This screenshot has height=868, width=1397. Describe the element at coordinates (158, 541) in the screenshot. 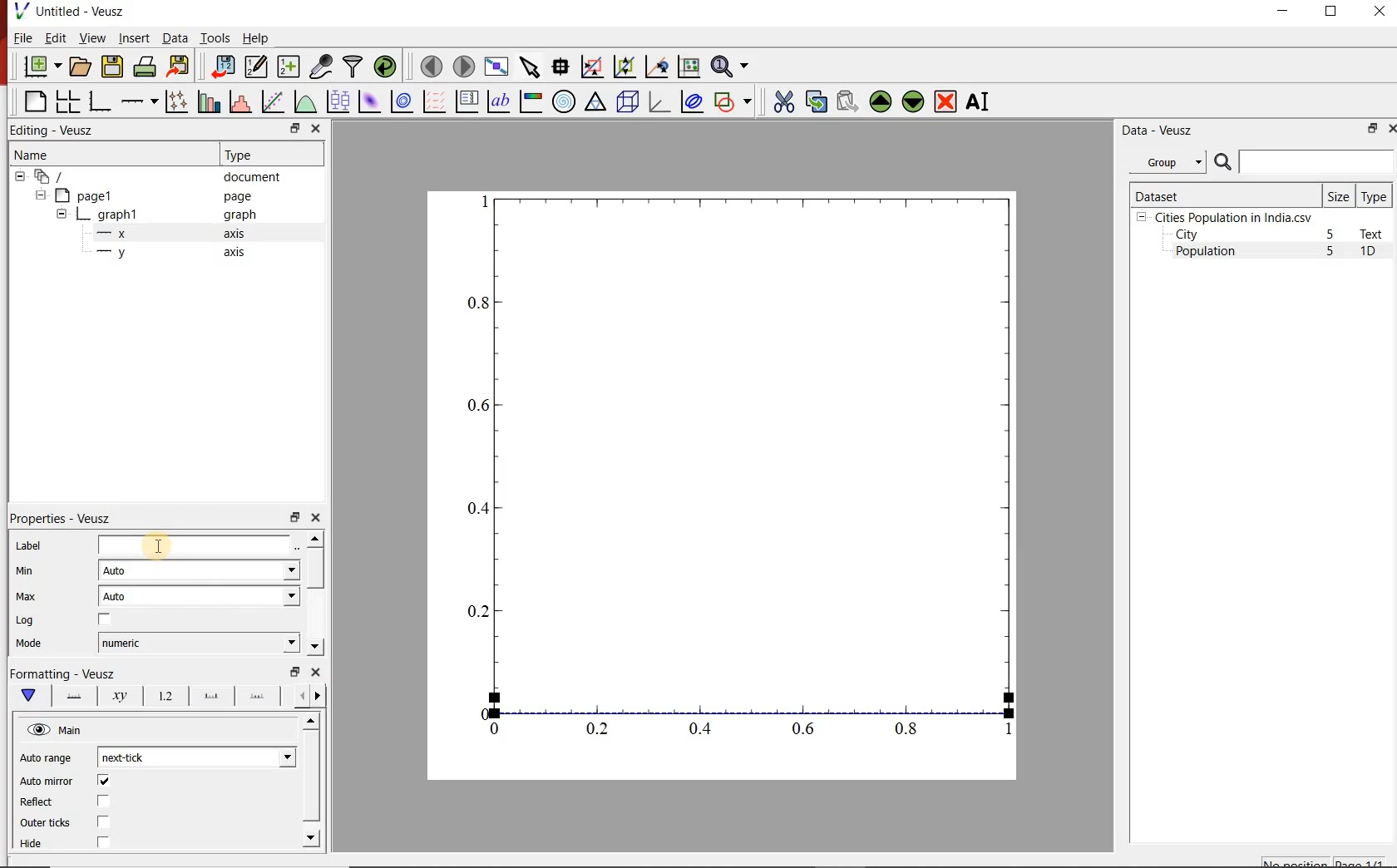

I see `cursor` at that location.